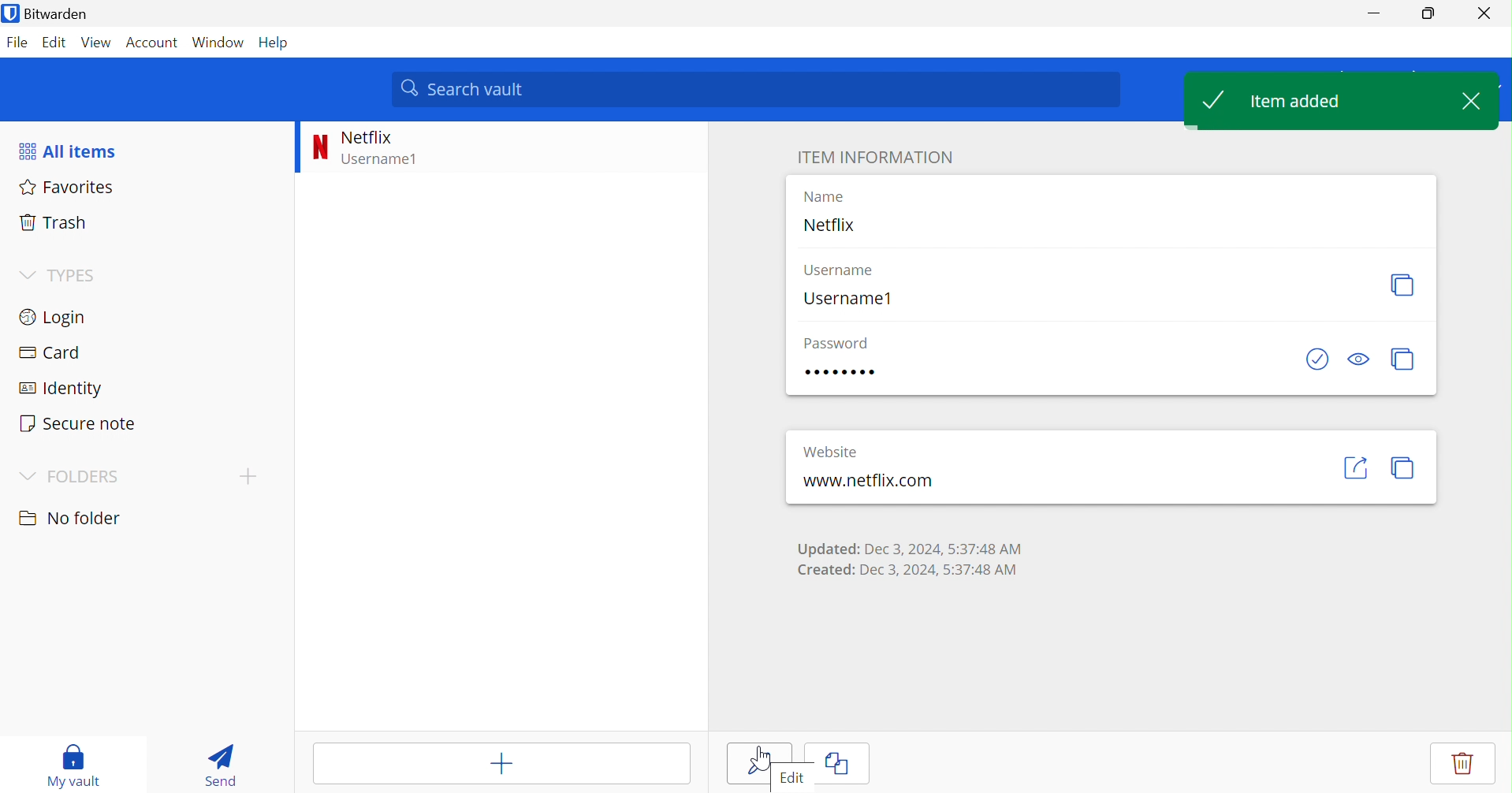 This screenshot has height=793, width=1512. Describe the element at coordinates (869, 481) in the screenshot. I see `www.netfix.com` at that location.